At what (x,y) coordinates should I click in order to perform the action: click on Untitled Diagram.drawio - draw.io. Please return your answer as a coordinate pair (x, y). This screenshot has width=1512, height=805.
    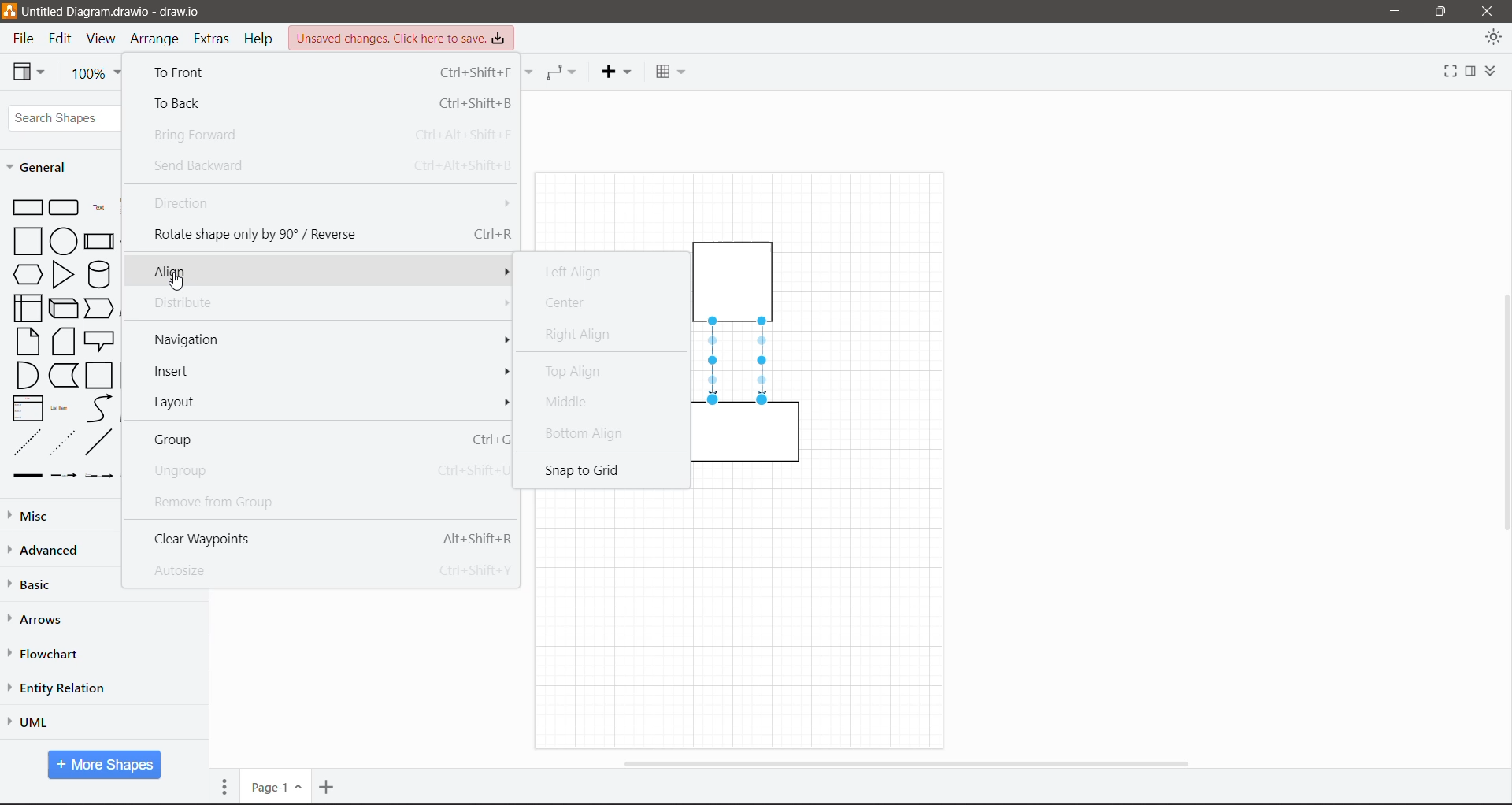
    Looking at the image, I should click on (120, 12).